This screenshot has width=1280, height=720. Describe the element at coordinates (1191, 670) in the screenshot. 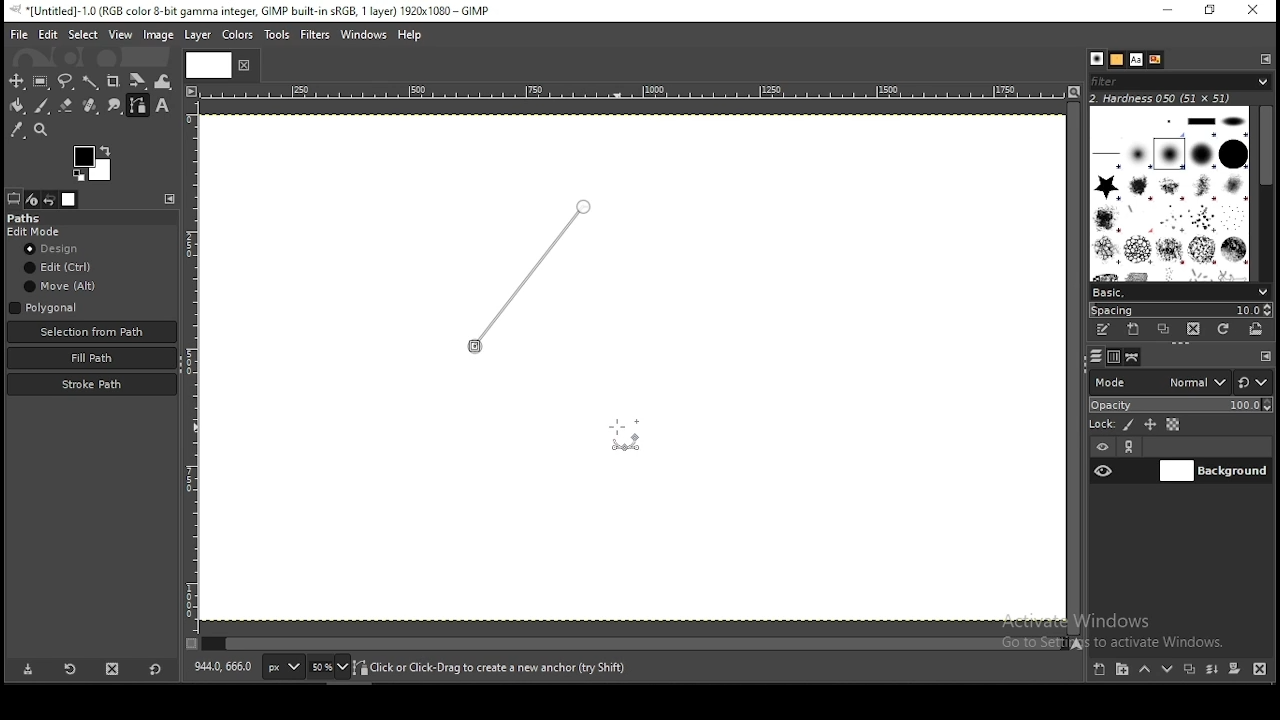

I see `duplicate layer` at that location.